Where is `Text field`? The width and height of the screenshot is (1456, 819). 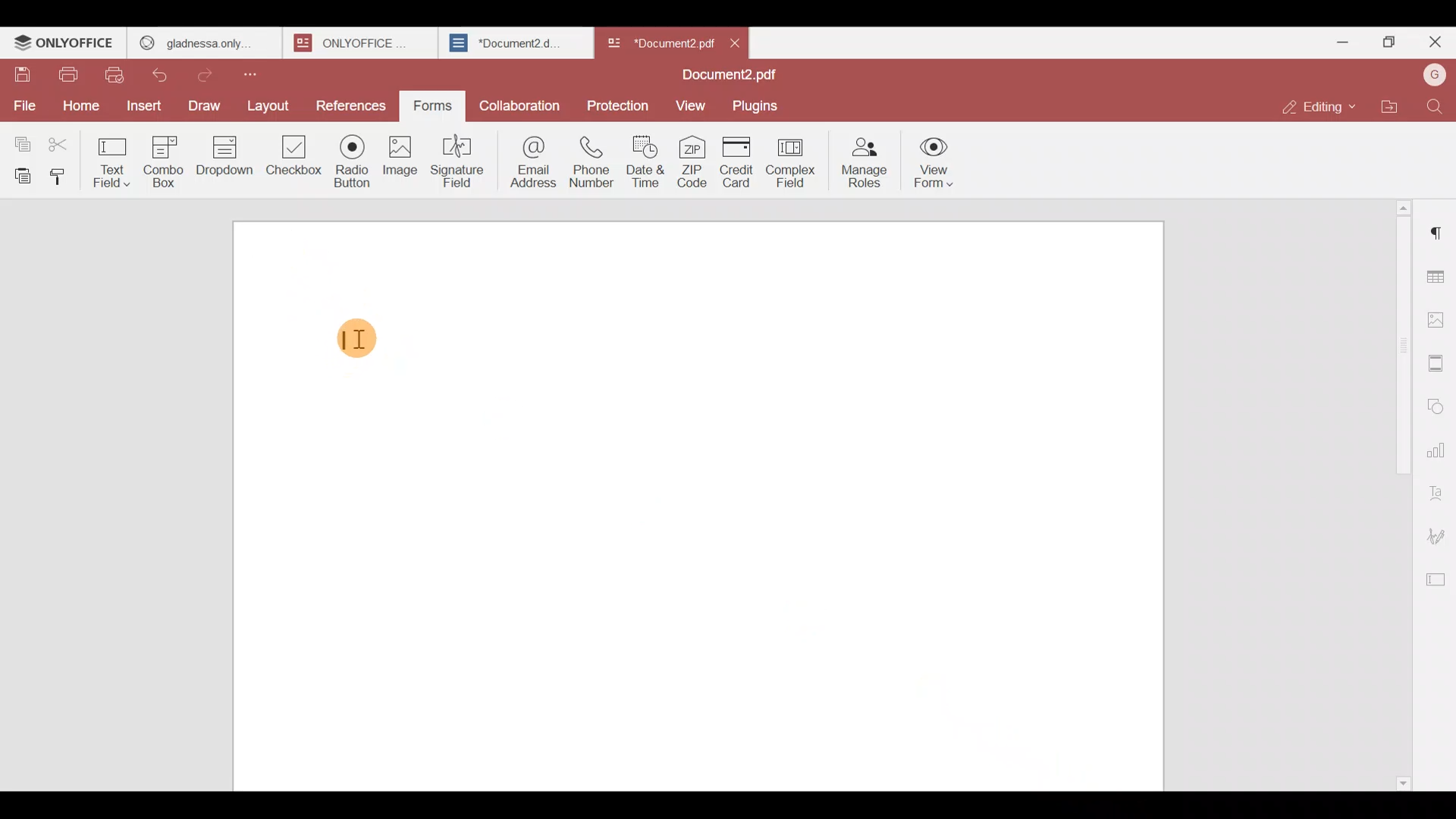
Text field is located at coordinates (110, 158).